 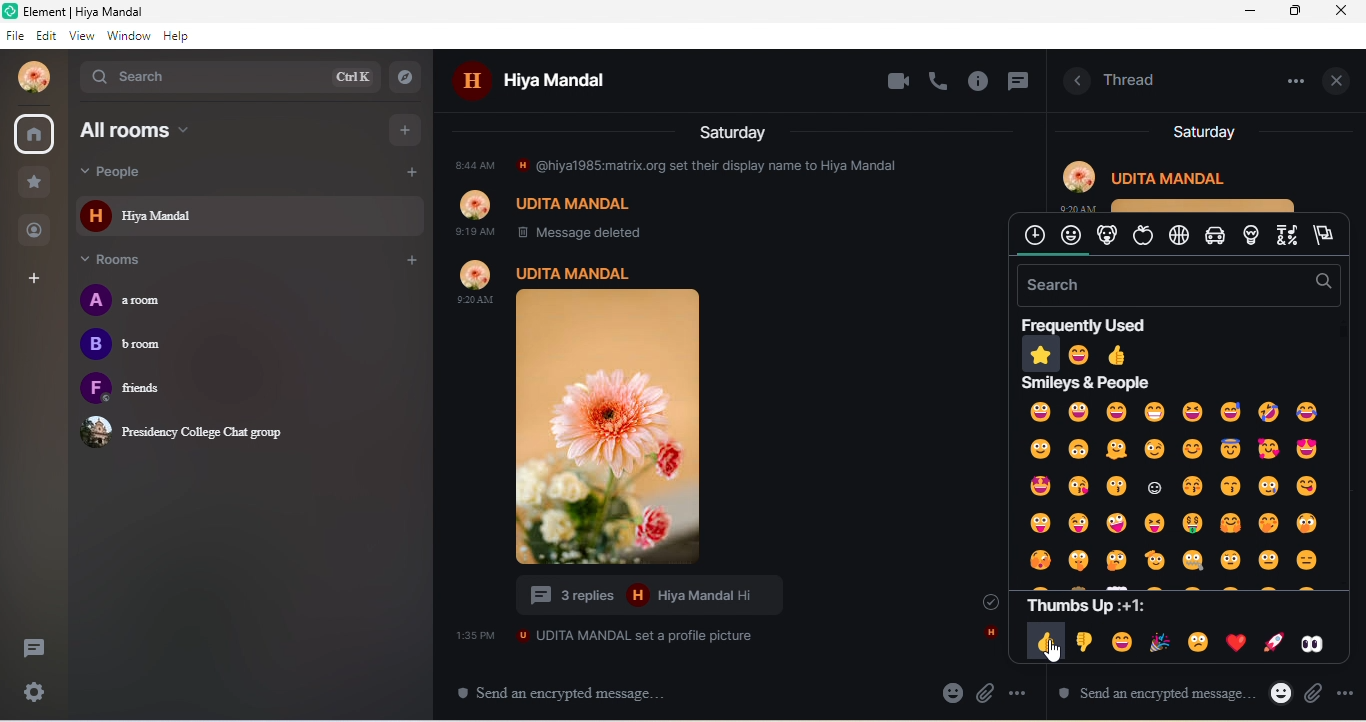 What do you see at coordinates (639, 413) in the screenshot?
I see `profile photo` at bounding box center [639, 413].